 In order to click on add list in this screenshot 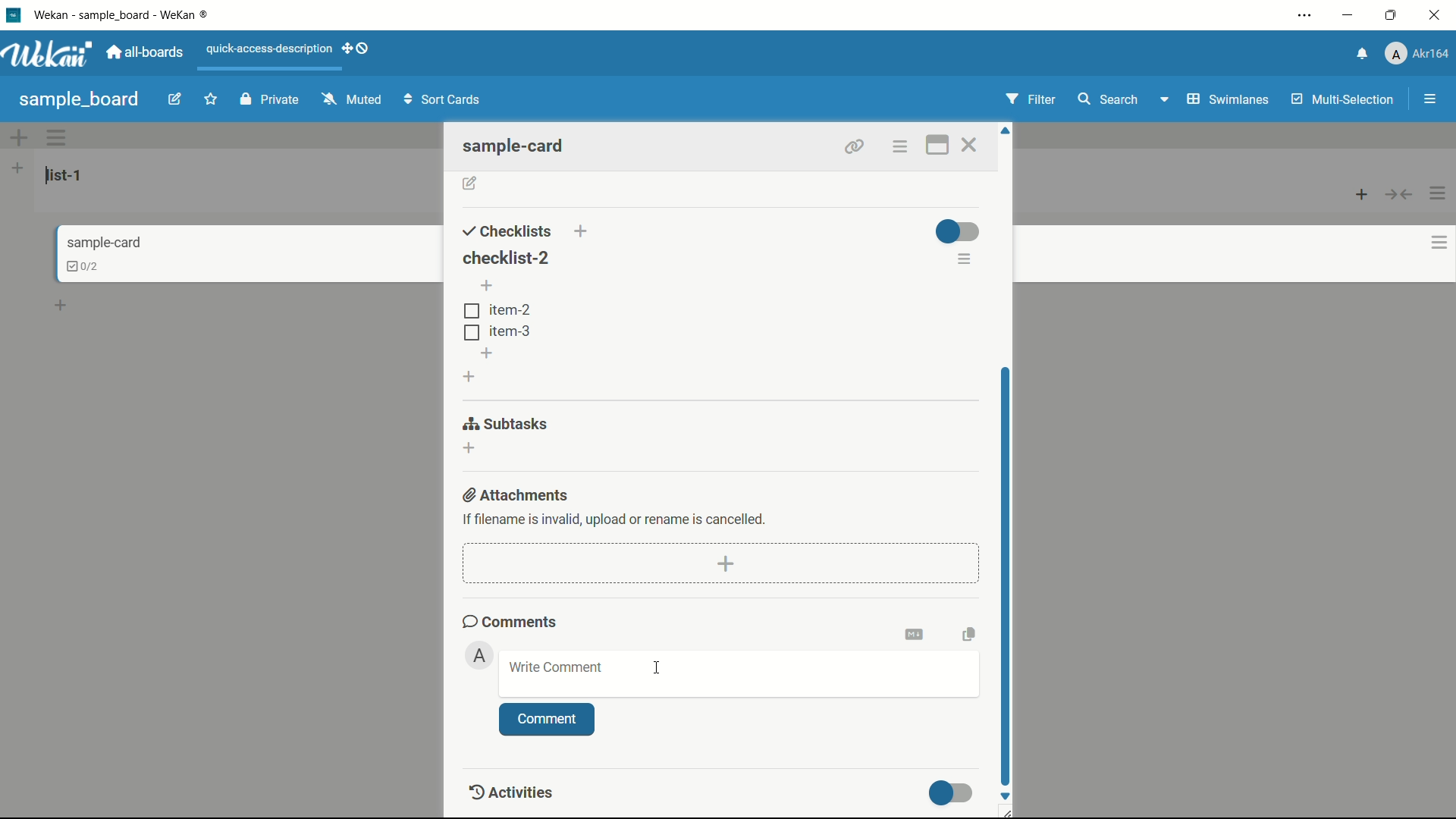, I will do `click(17, 168)`.